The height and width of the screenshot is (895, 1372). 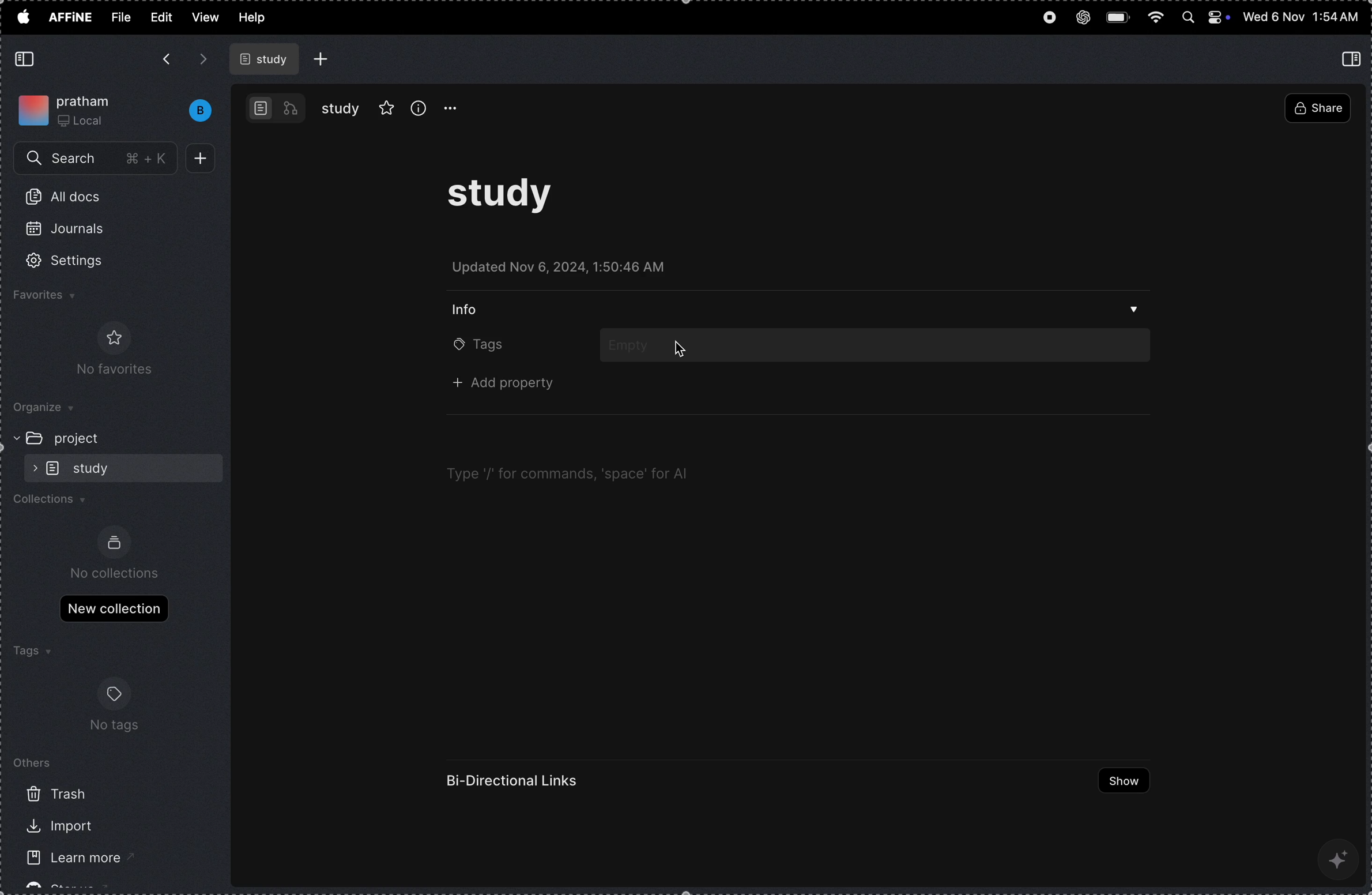 What do you see at coordinates (471, 308) in the screenshot?
I see `info` at bounding box center [471, 308].